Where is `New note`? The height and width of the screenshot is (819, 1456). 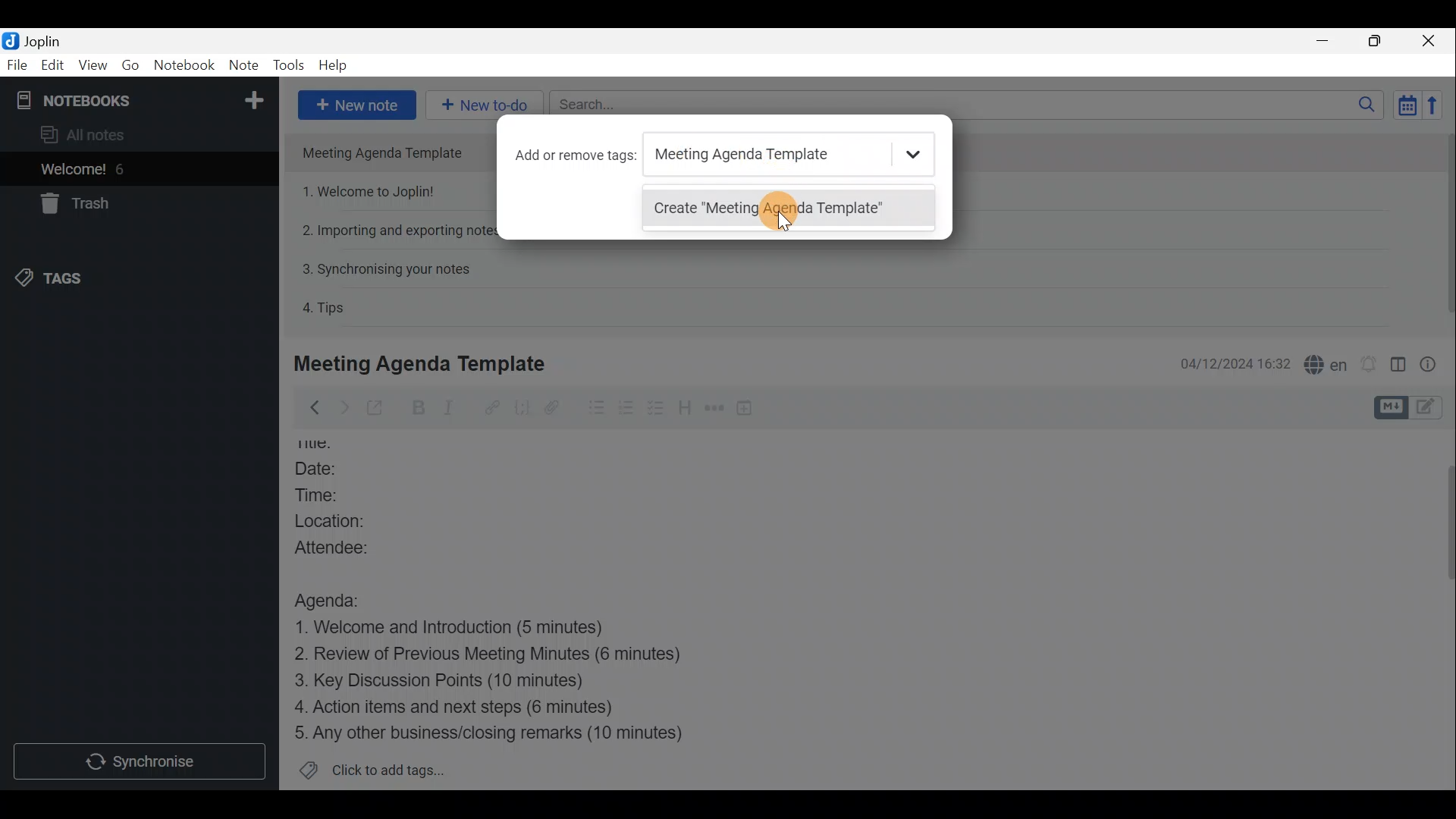
New note is located at coordinates (357, 105).